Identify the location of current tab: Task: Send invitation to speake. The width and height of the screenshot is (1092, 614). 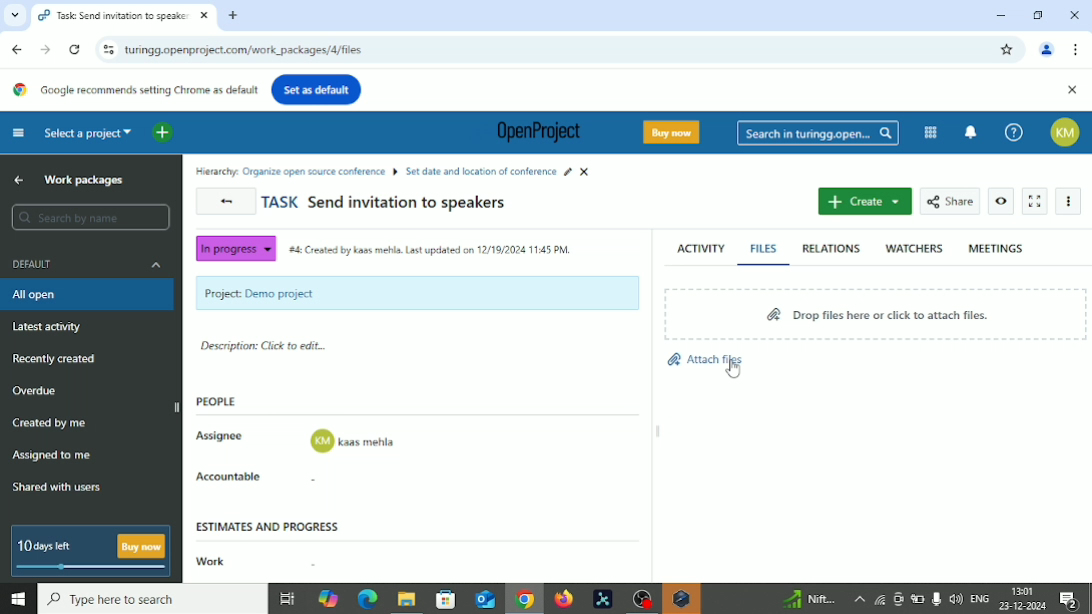
(113, 16).